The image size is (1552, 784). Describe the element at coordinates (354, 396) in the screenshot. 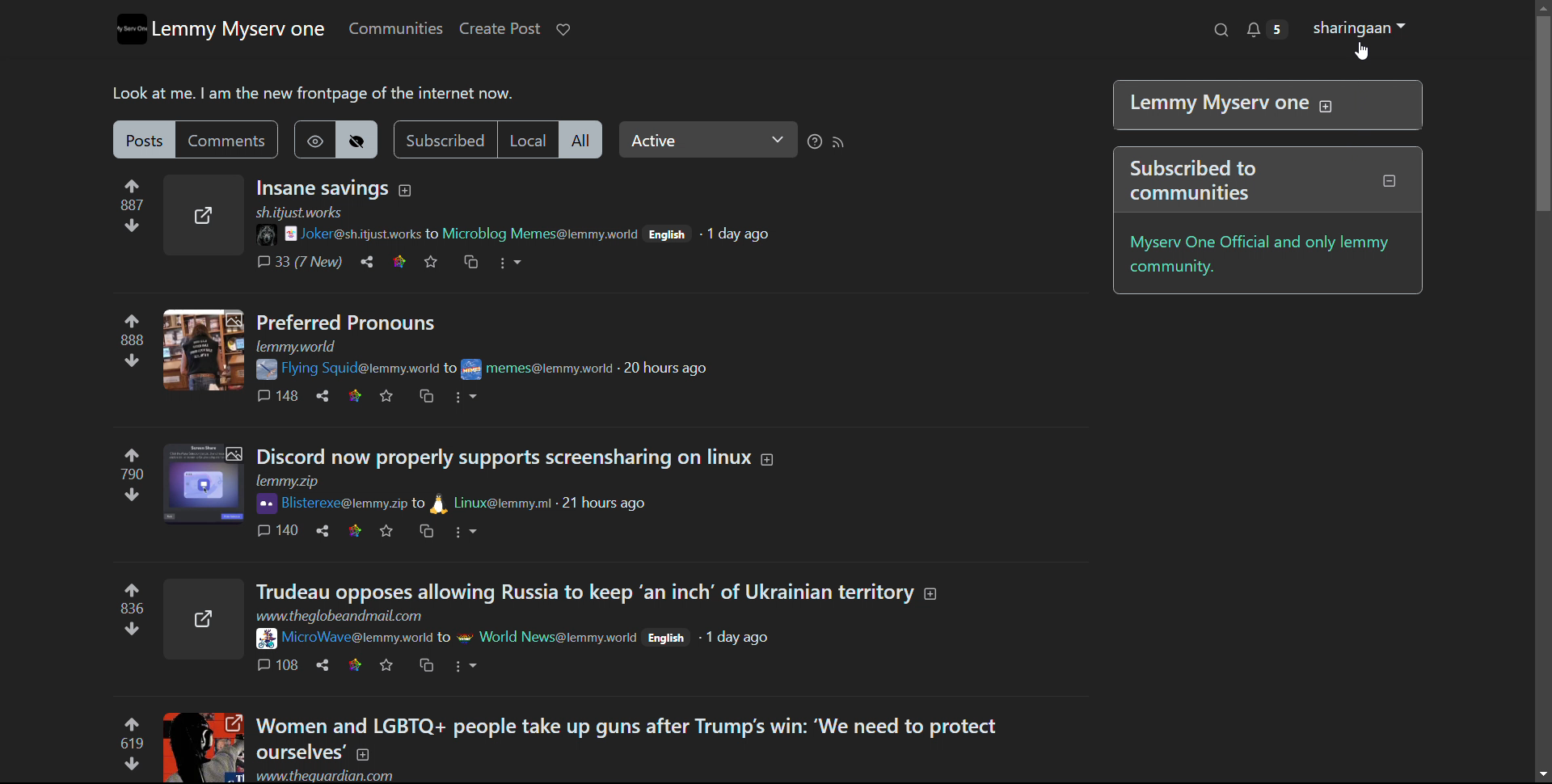

I see `link` at that location.